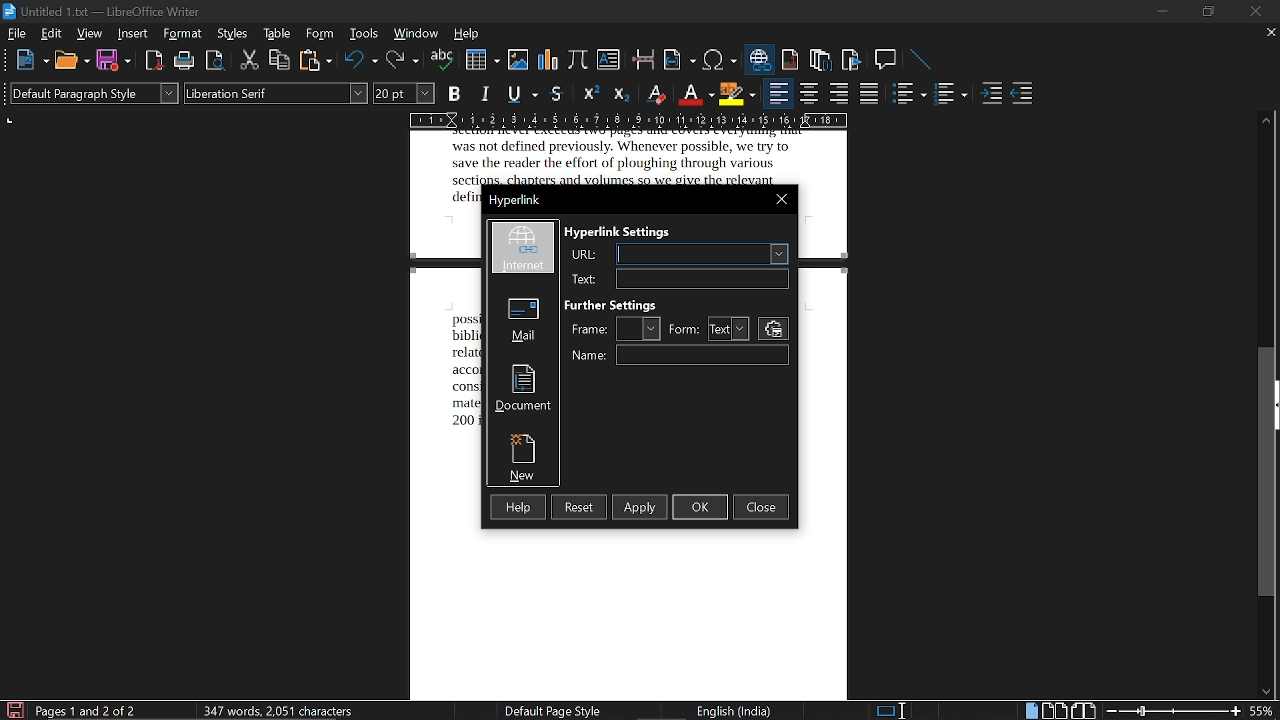 The width and height of the screenshot is (1280, 720). Describe the element at coordinates (730, 328) in the screenshot. I see `form` at that location.